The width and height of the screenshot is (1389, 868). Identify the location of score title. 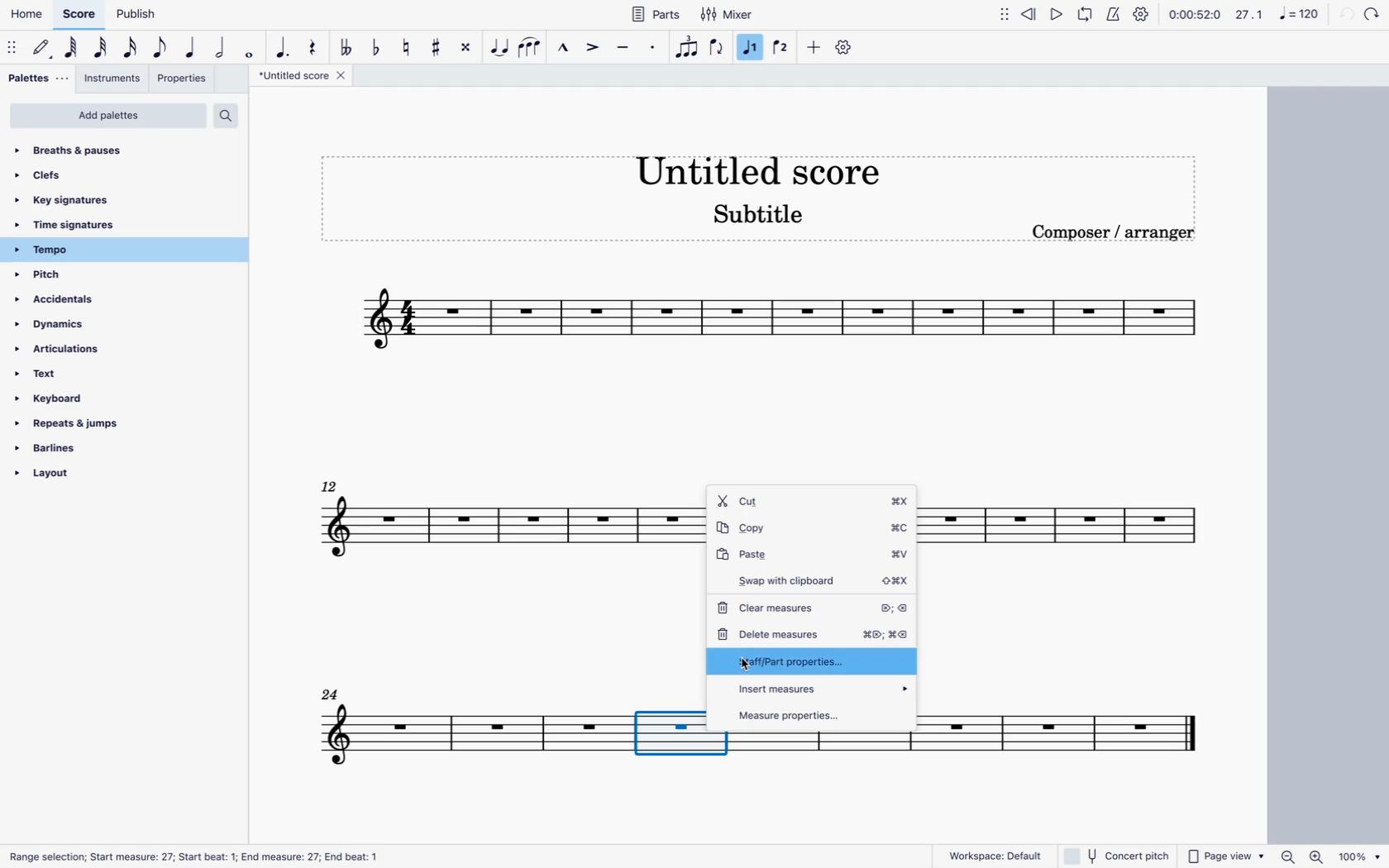
(754, 169).